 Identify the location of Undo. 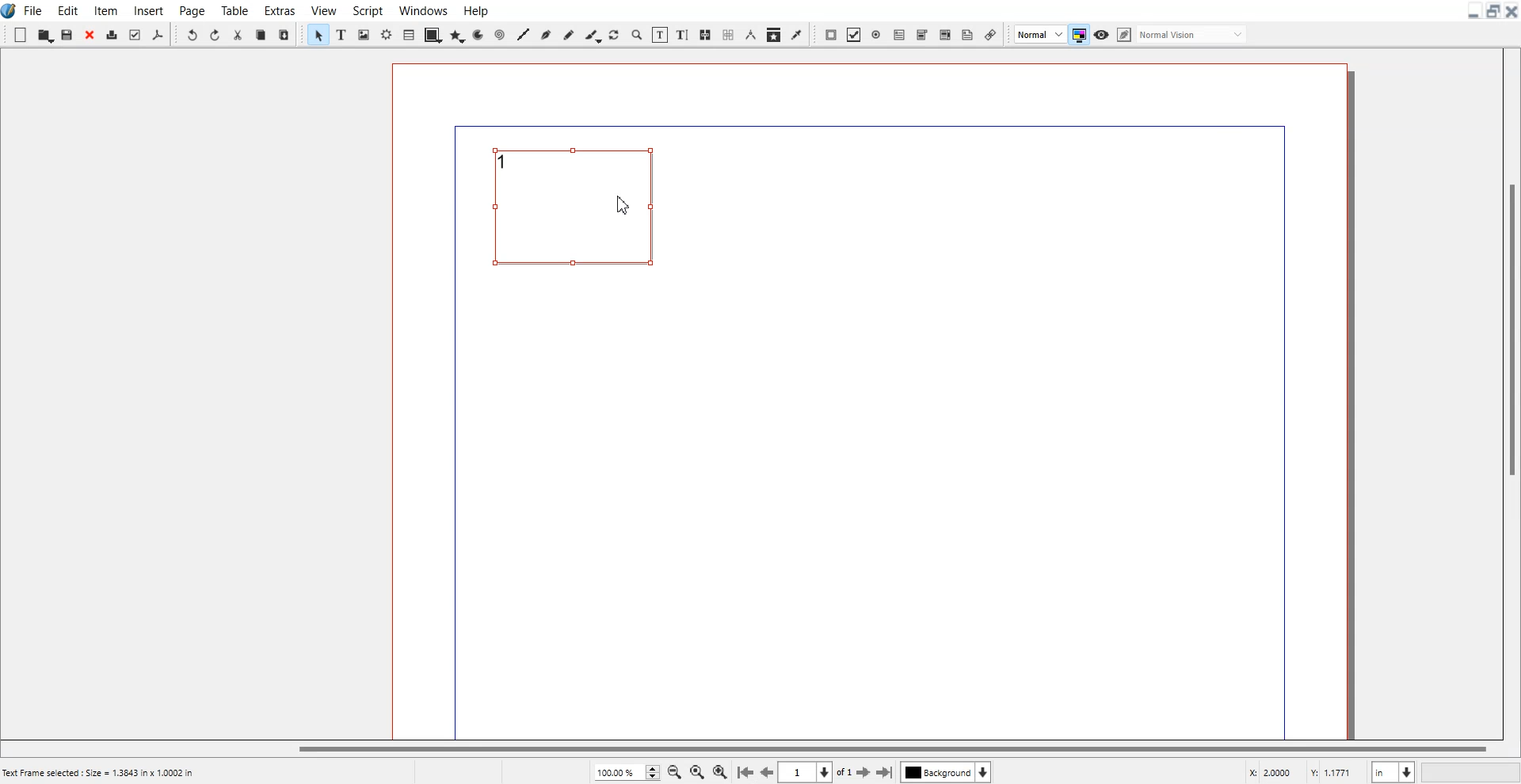
(191, 33).